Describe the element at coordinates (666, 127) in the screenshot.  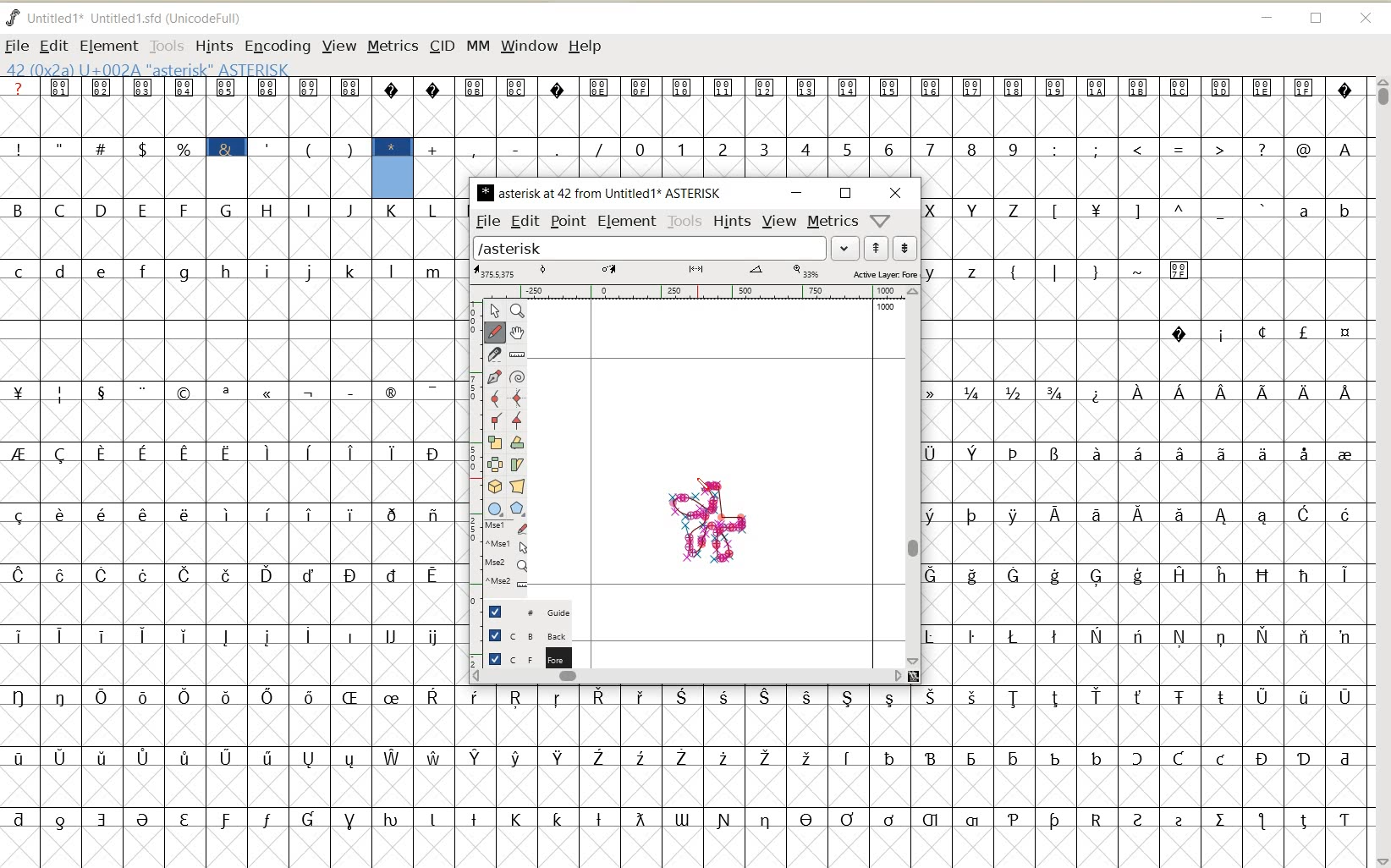
I see `GLYPHY SPECIAL CHARACTERS AND NUMBERS` at that location.